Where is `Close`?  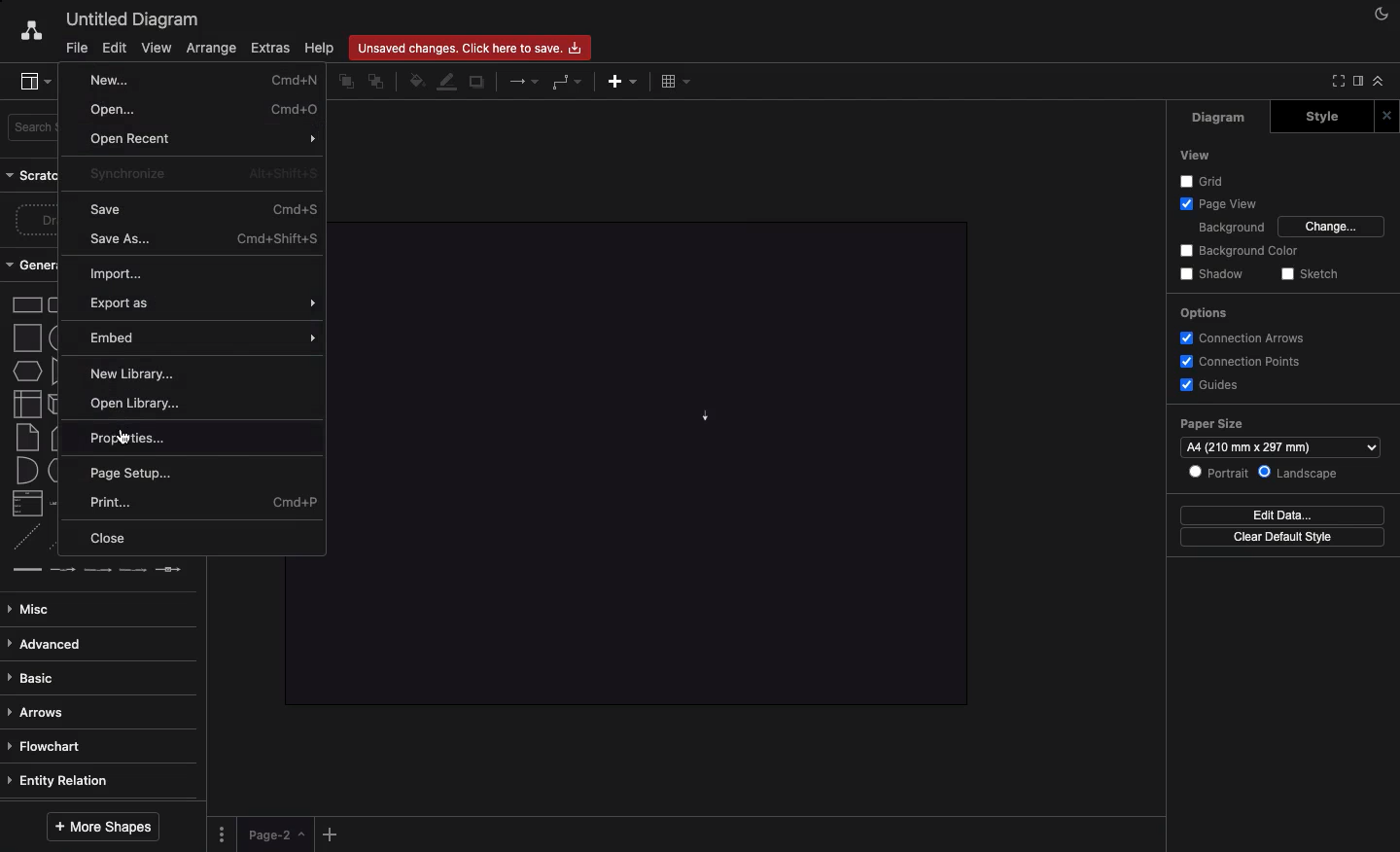 Close is located at coordinates (115, 540).